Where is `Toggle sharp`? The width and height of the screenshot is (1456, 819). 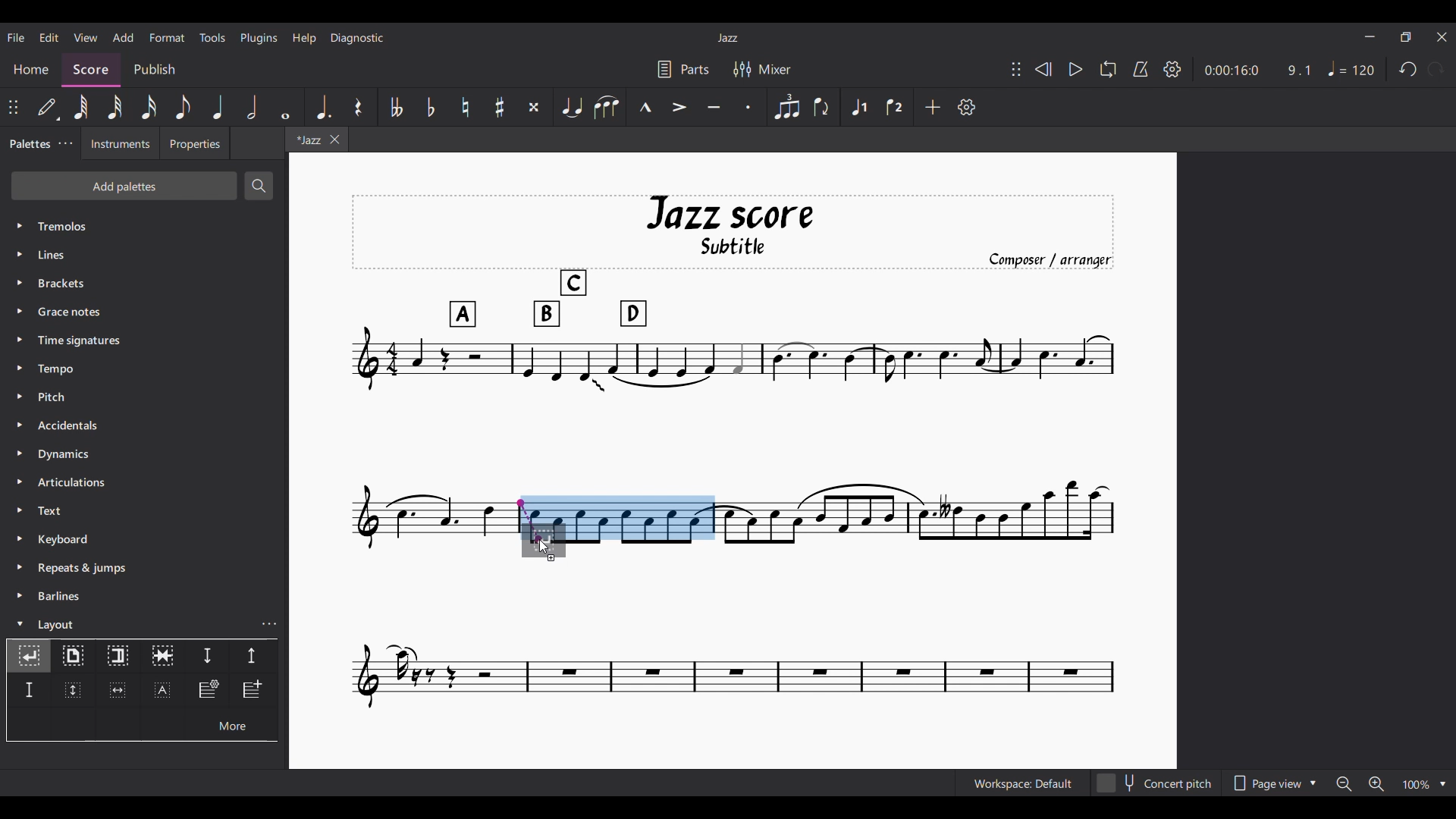
Toggle sharp is located at coordinates (500, 107).